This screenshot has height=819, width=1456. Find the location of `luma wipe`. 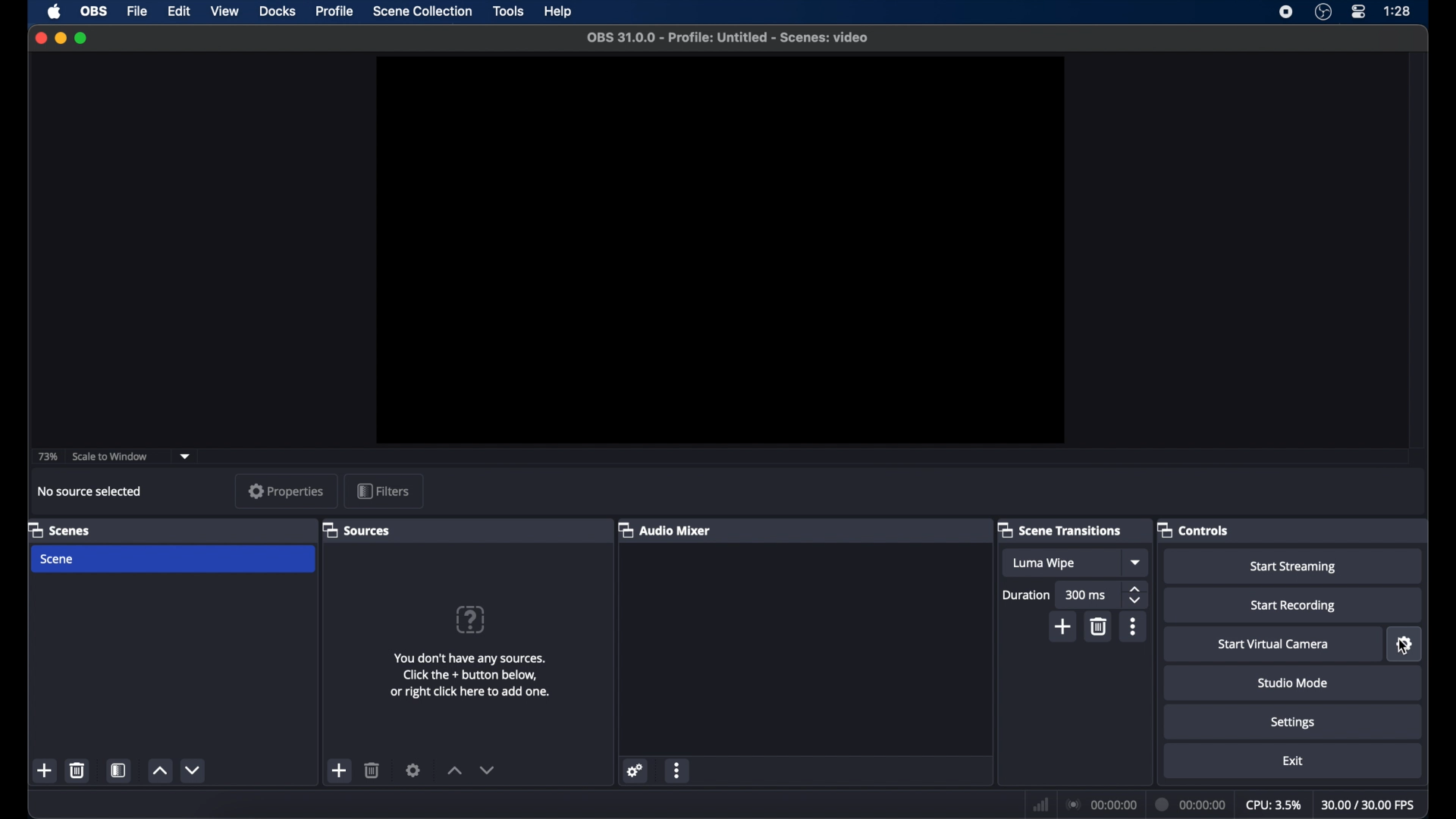

luma wipe is located at coordinates (1062, 563).